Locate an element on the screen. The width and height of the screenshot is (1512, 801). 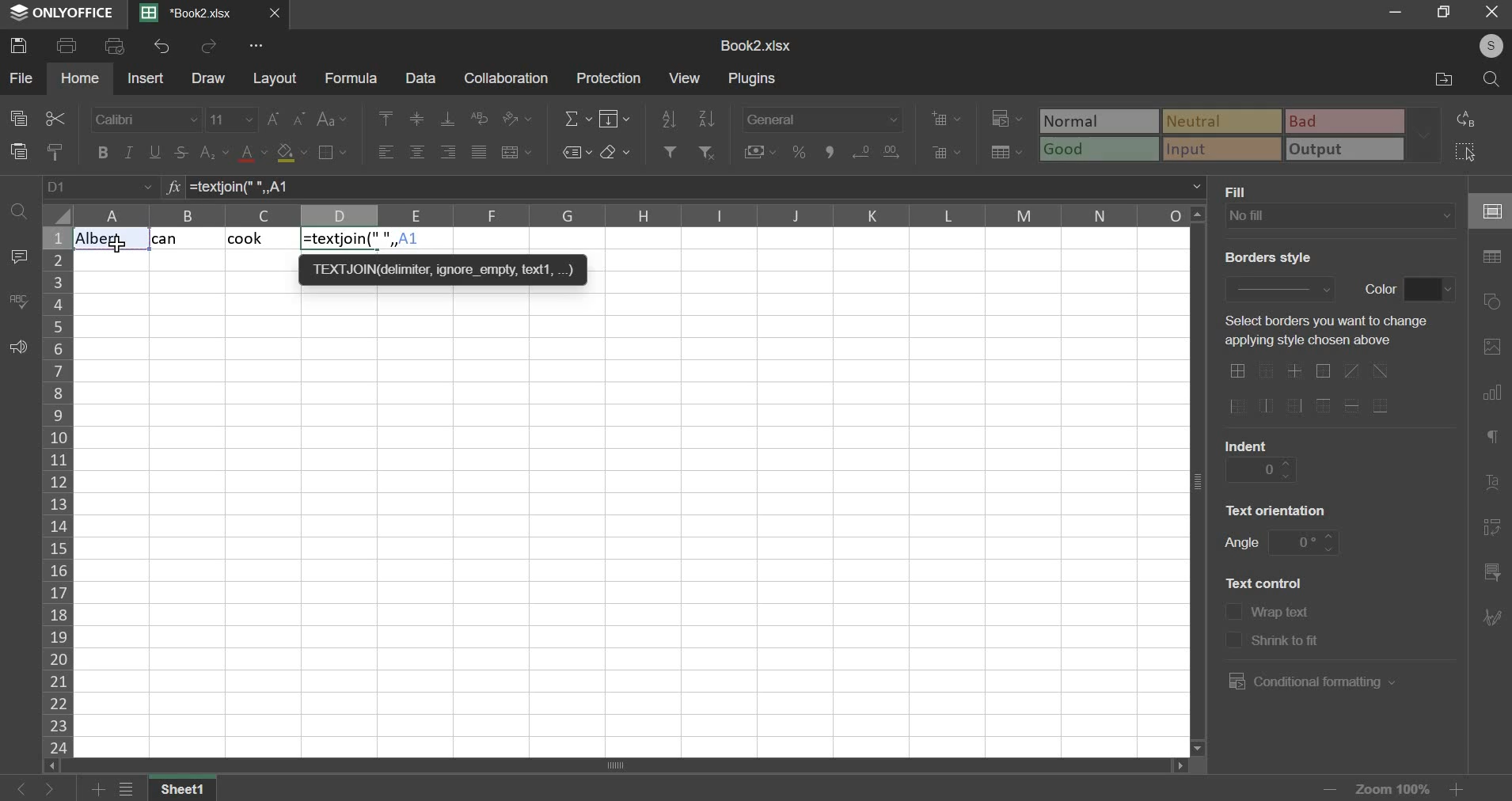
add cells is located at coordinates (946, 118).